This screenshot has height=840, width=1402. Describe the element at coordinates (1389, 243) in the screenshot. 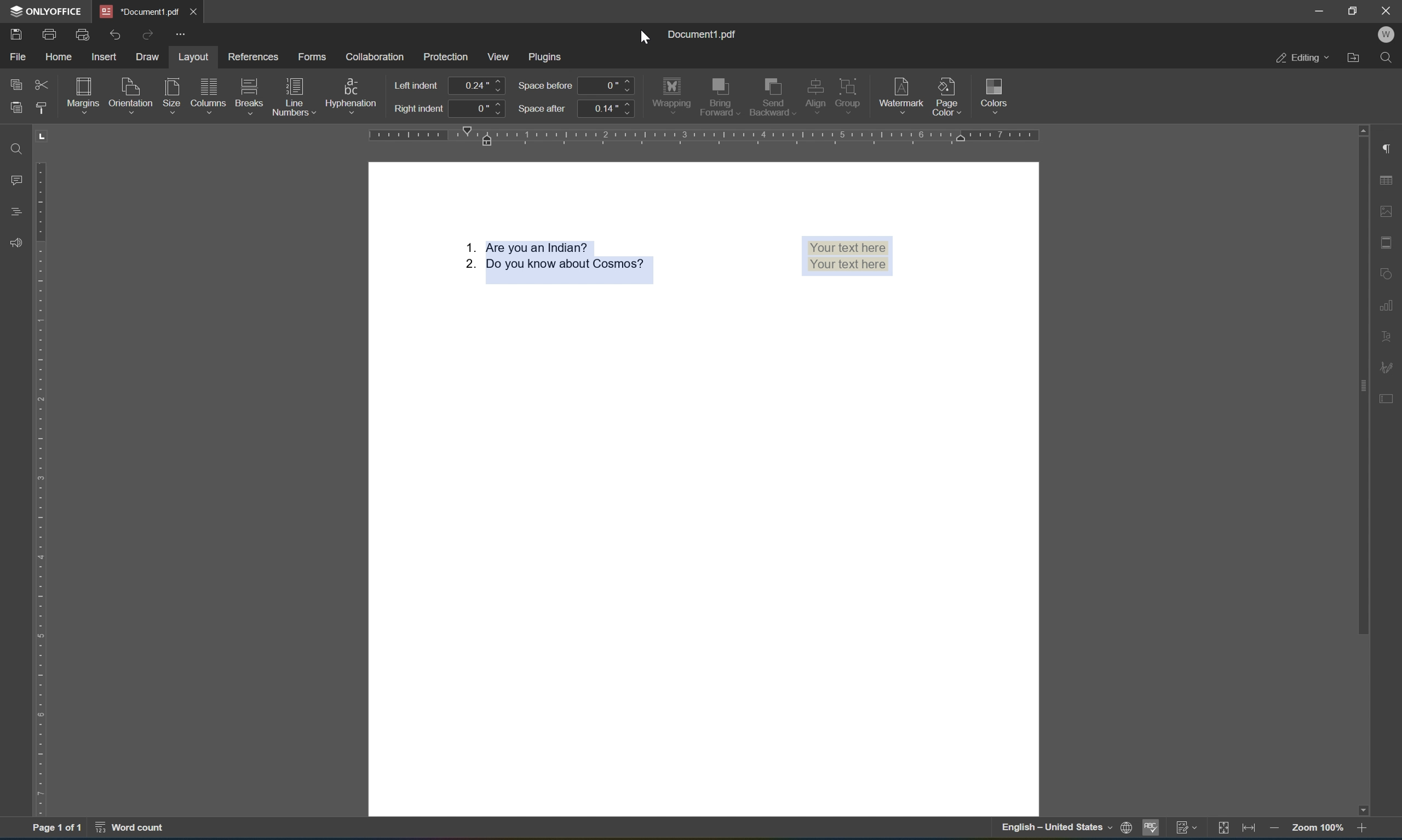

I see `header & footer settings` at that location.